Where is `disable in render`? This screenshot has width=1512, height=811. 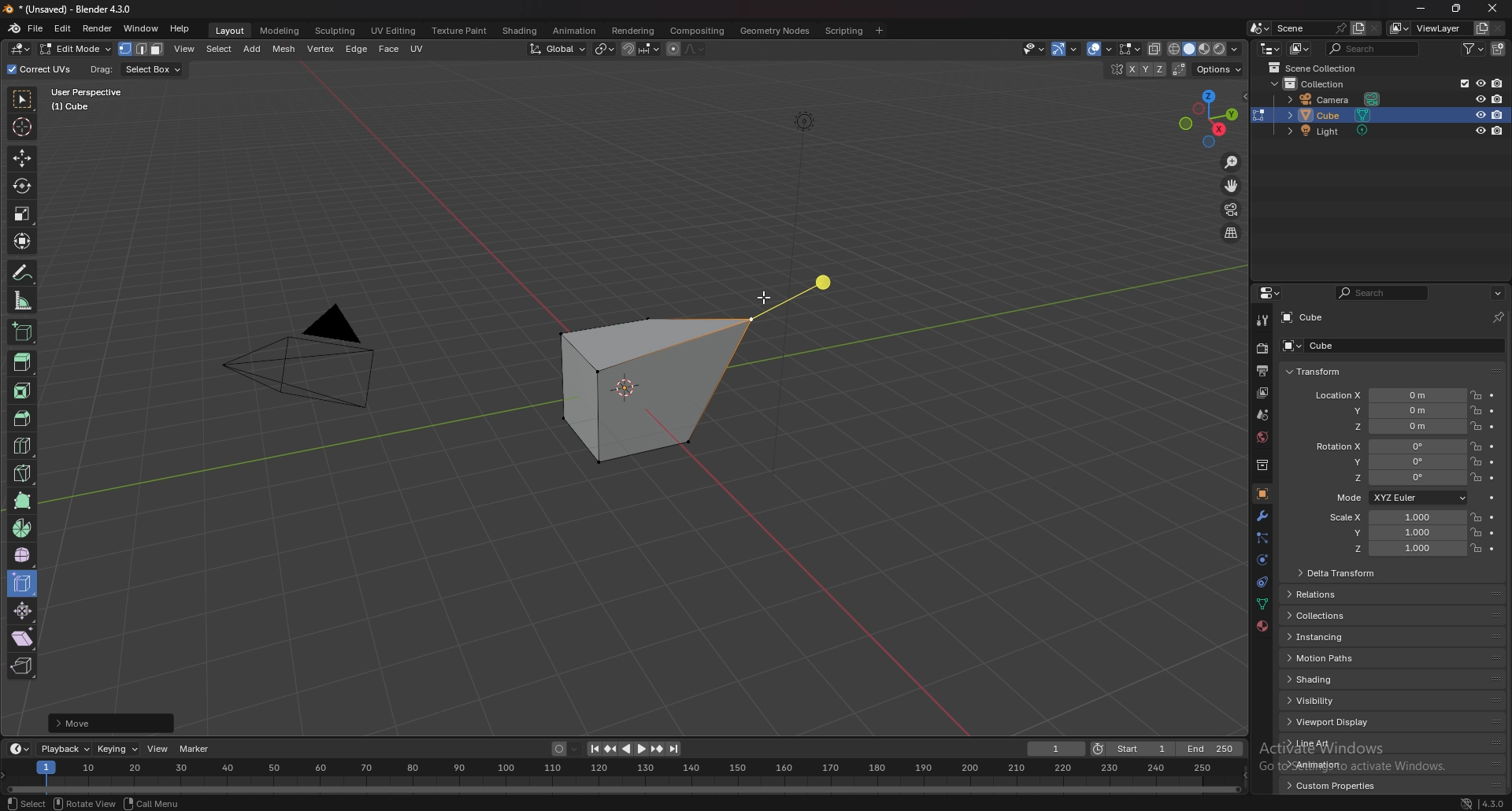
disable in render is located at coordinates (1498, 131).